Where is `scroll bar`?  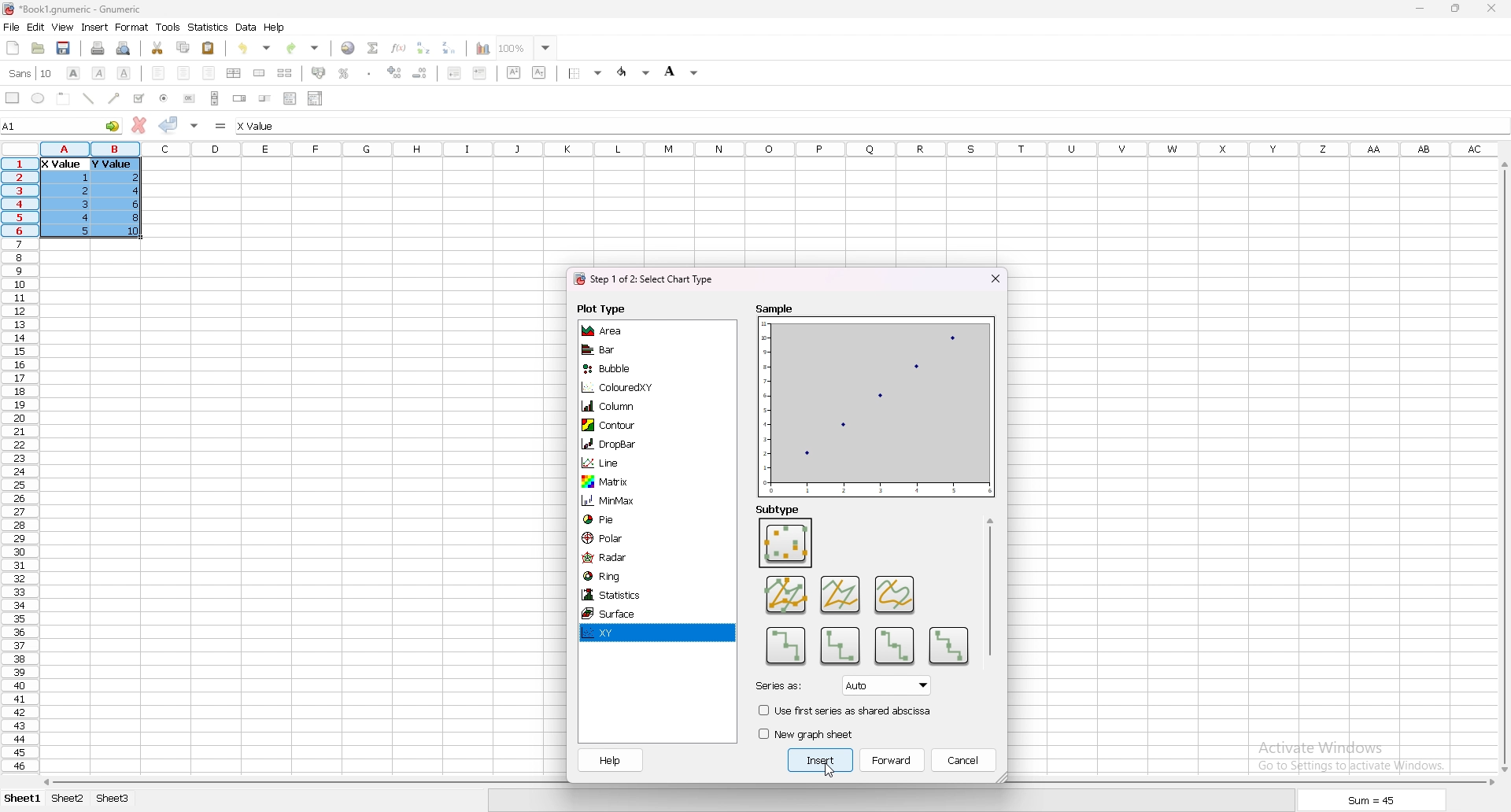 scroll bar is located at coordinates (767, 782).